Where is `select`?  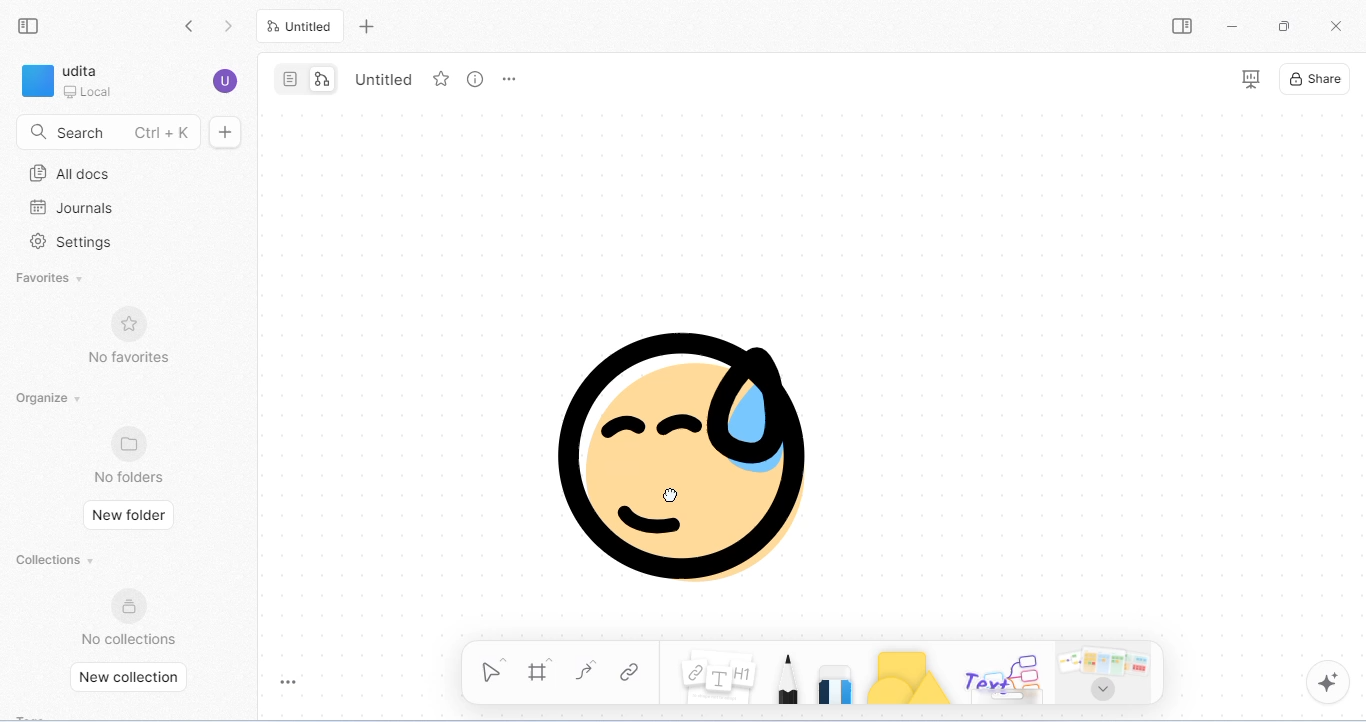 select is located at coordinates (494, 668).